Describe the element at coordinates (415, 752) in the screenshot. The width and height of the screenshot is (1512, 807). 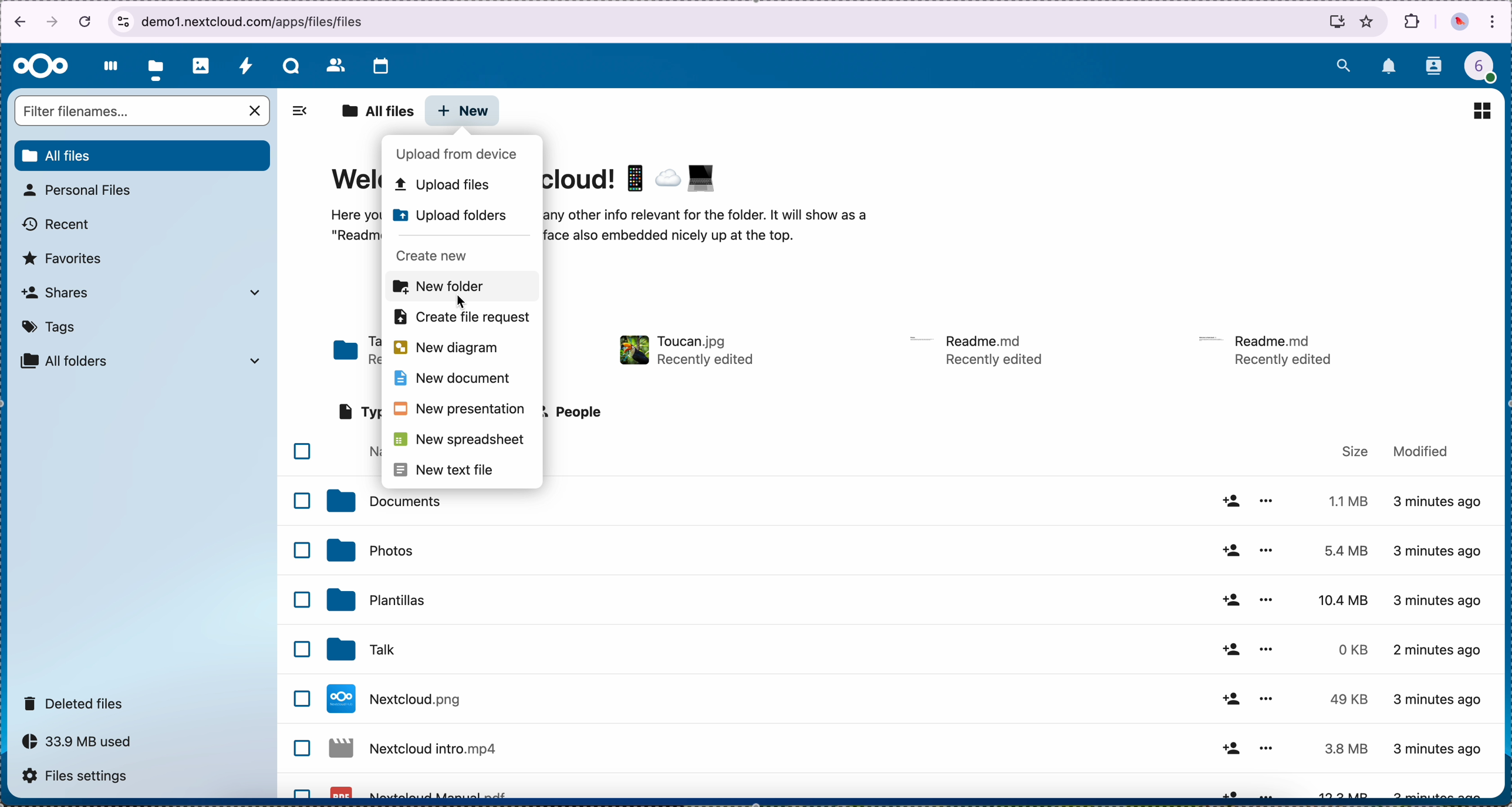
I see `Nextcloud file` at that location.